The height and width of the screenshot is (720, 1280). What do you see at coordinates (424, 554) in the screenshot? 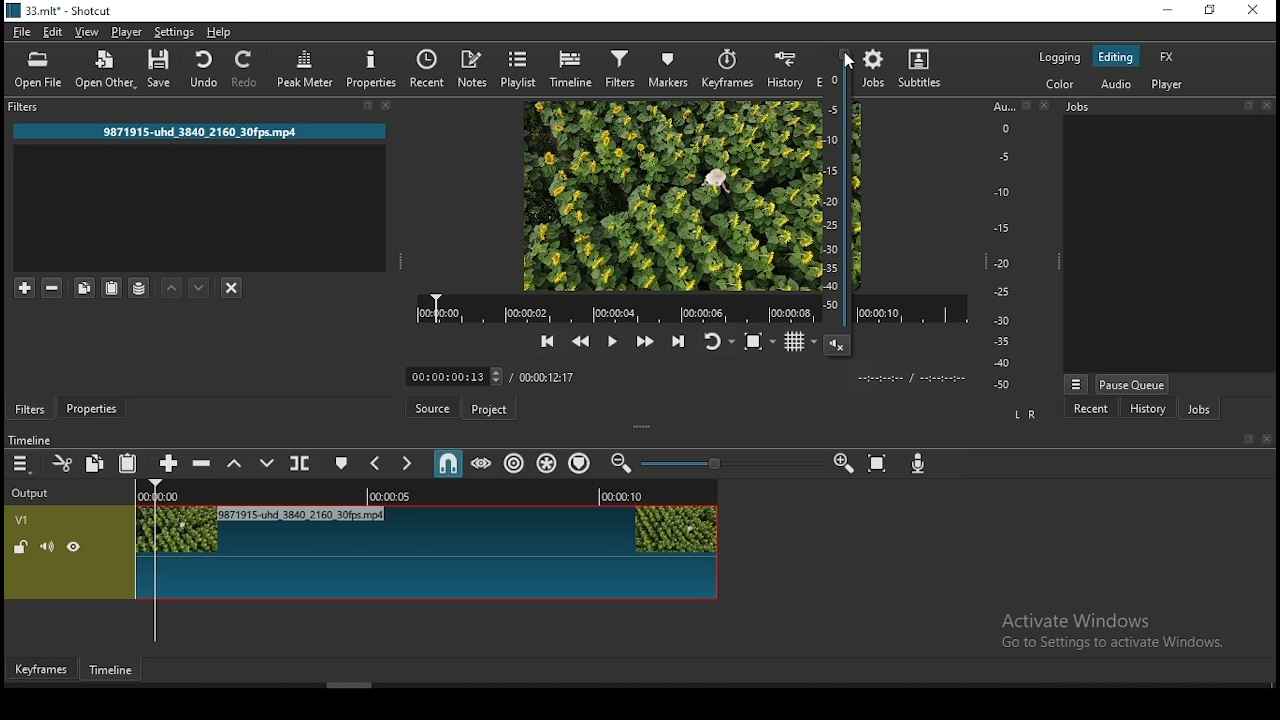
I see `video track` at bounding box center [424, 554].